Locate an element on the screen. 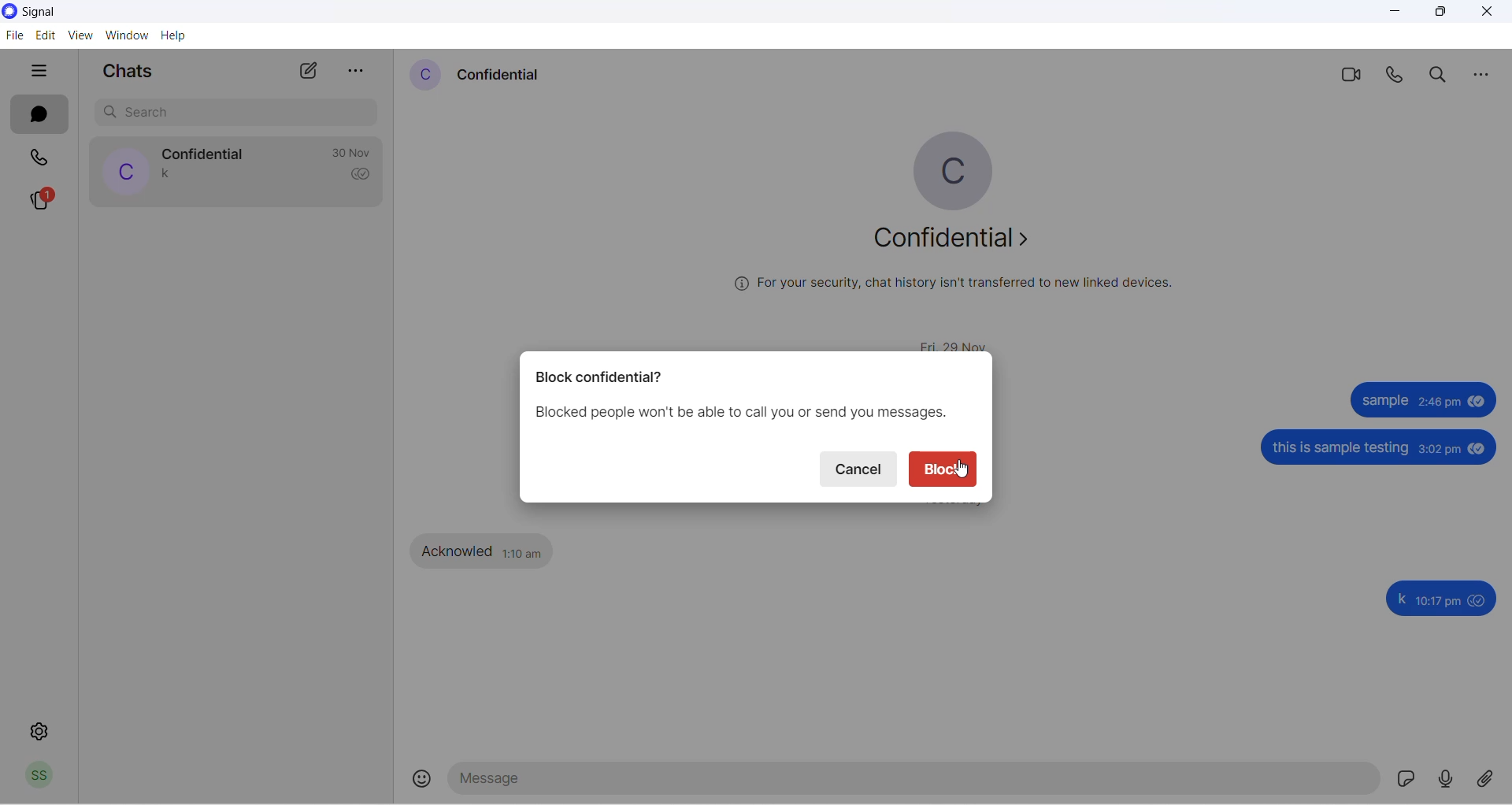 Image resolution: width=1512 pixels, height=805 pixels. minimize is located at coordinates (1399, 14).